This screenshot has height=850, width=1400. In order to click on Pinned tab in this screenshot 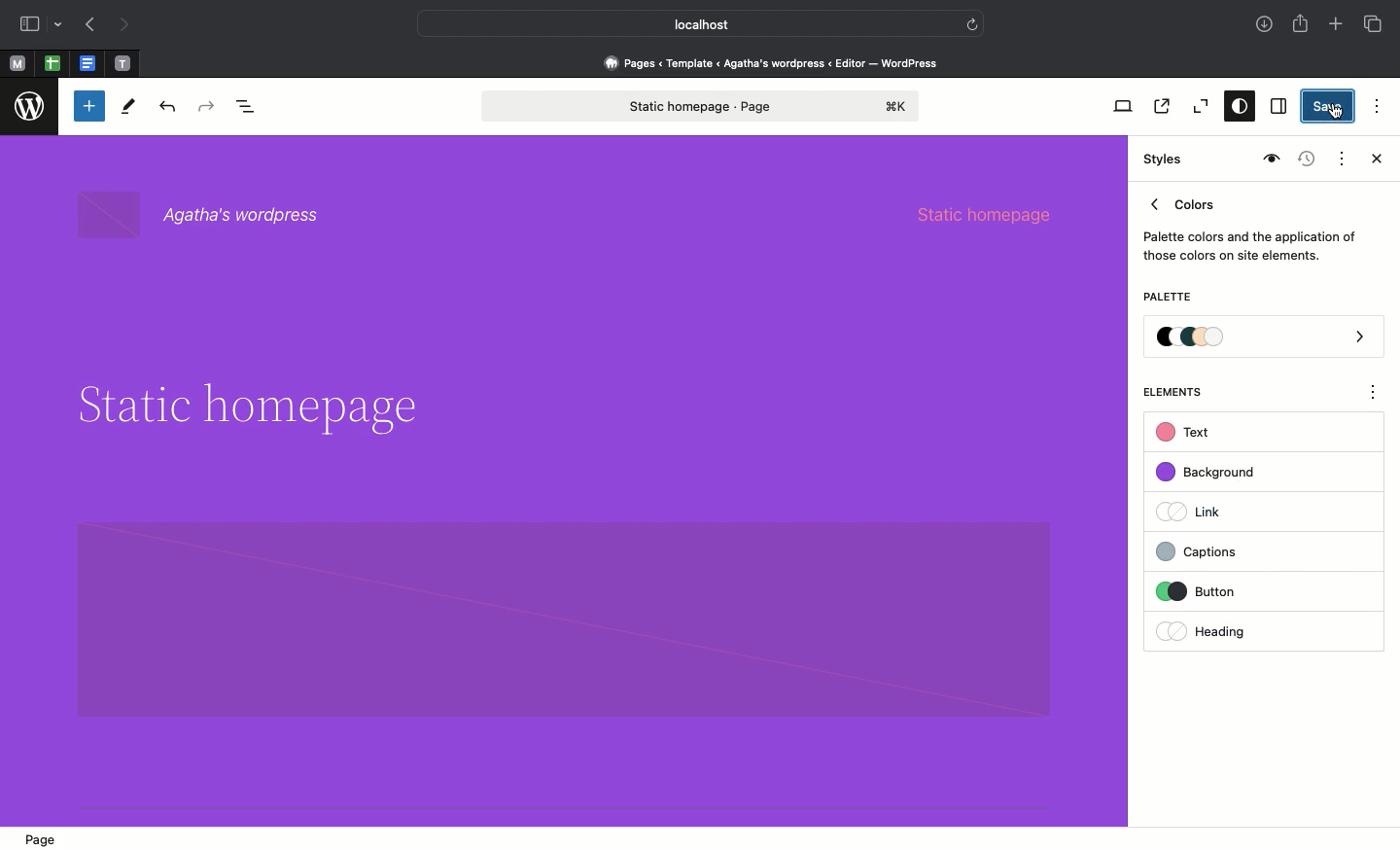, I will do `click(52, 64)`.